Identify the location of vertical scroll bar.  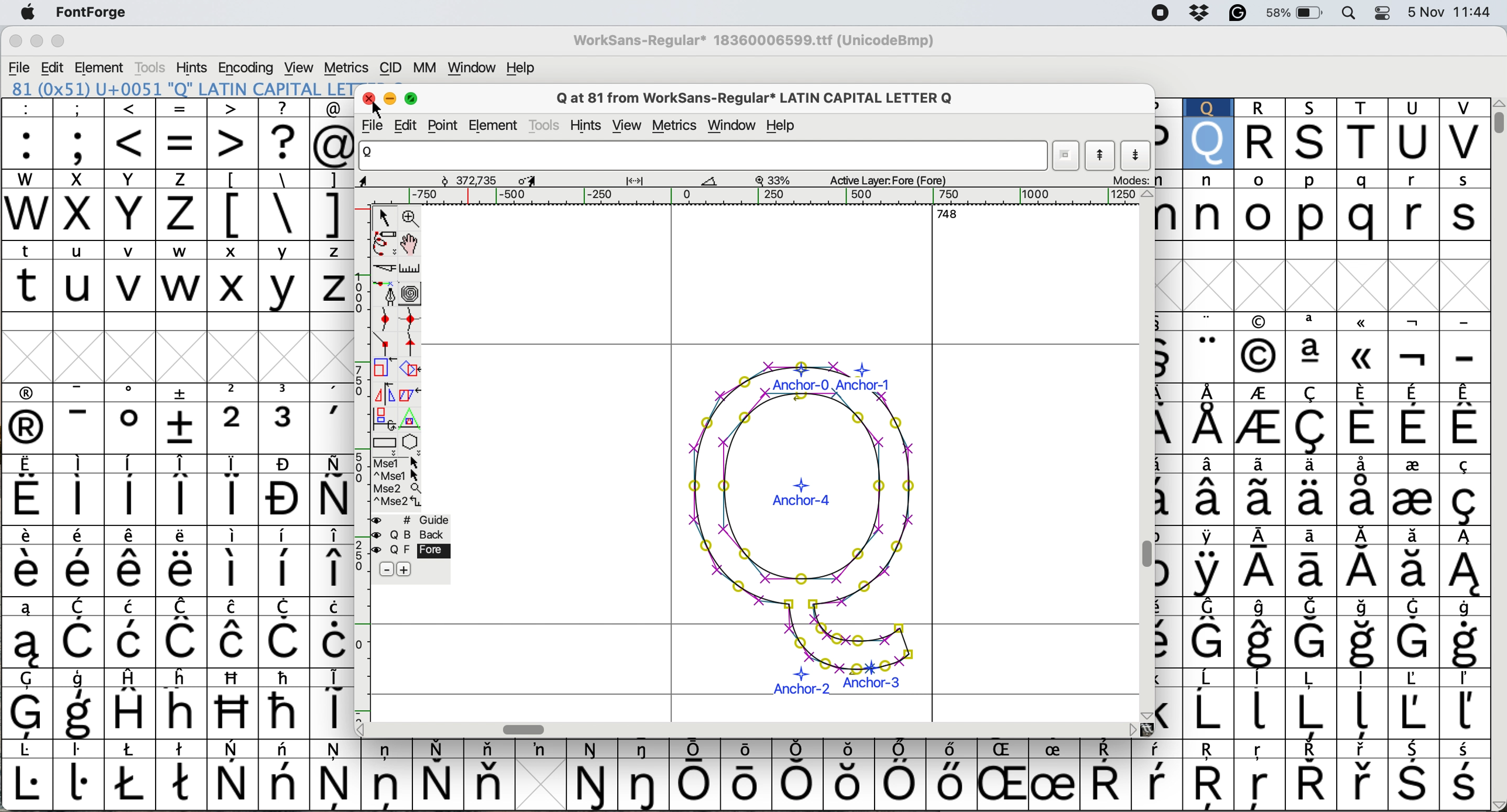
(1494, 121).